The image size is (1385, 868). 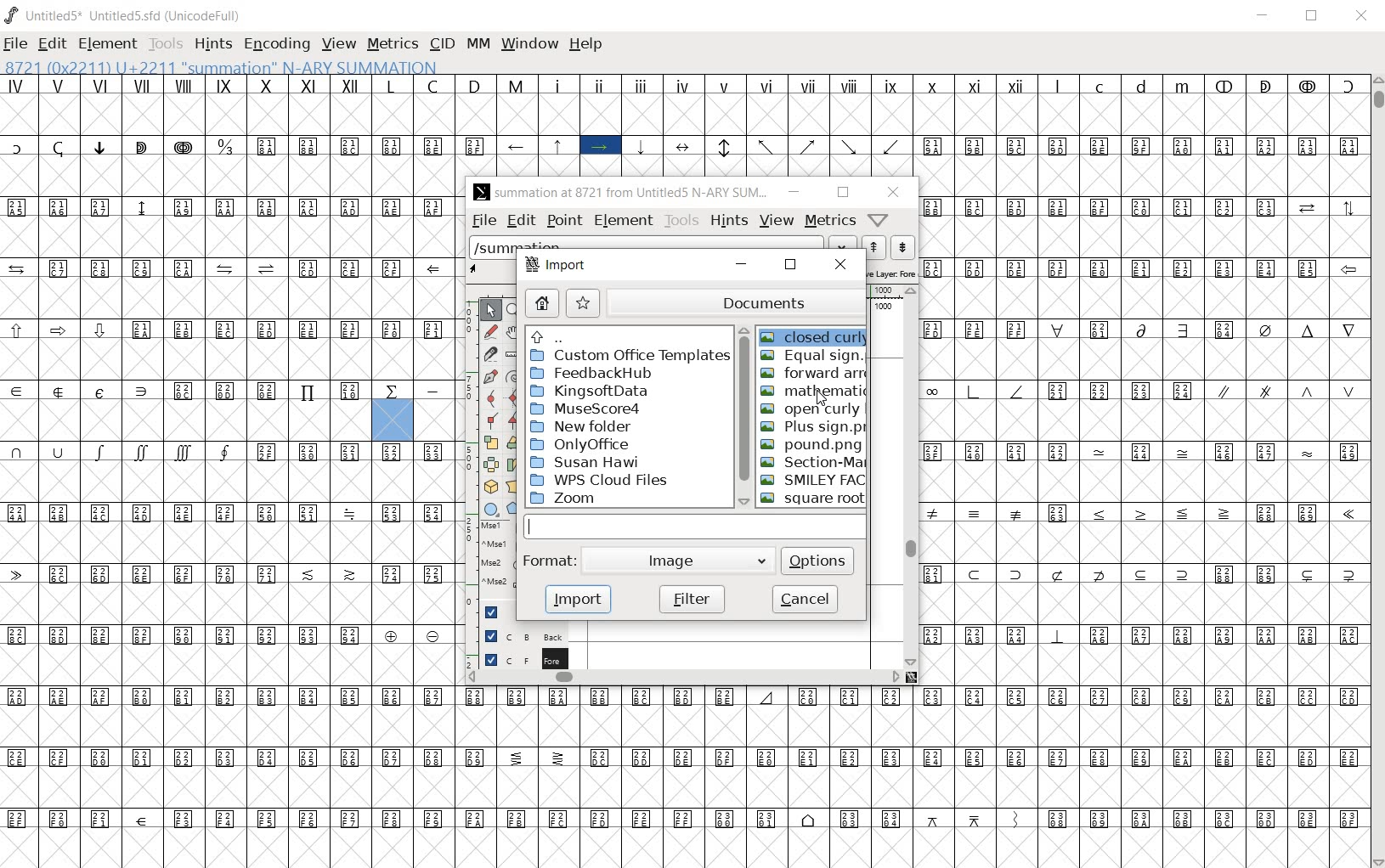 What do you see at coordinates (664, 243) in the screenshot?
I see `load word list` at bounding box center [664, 243].